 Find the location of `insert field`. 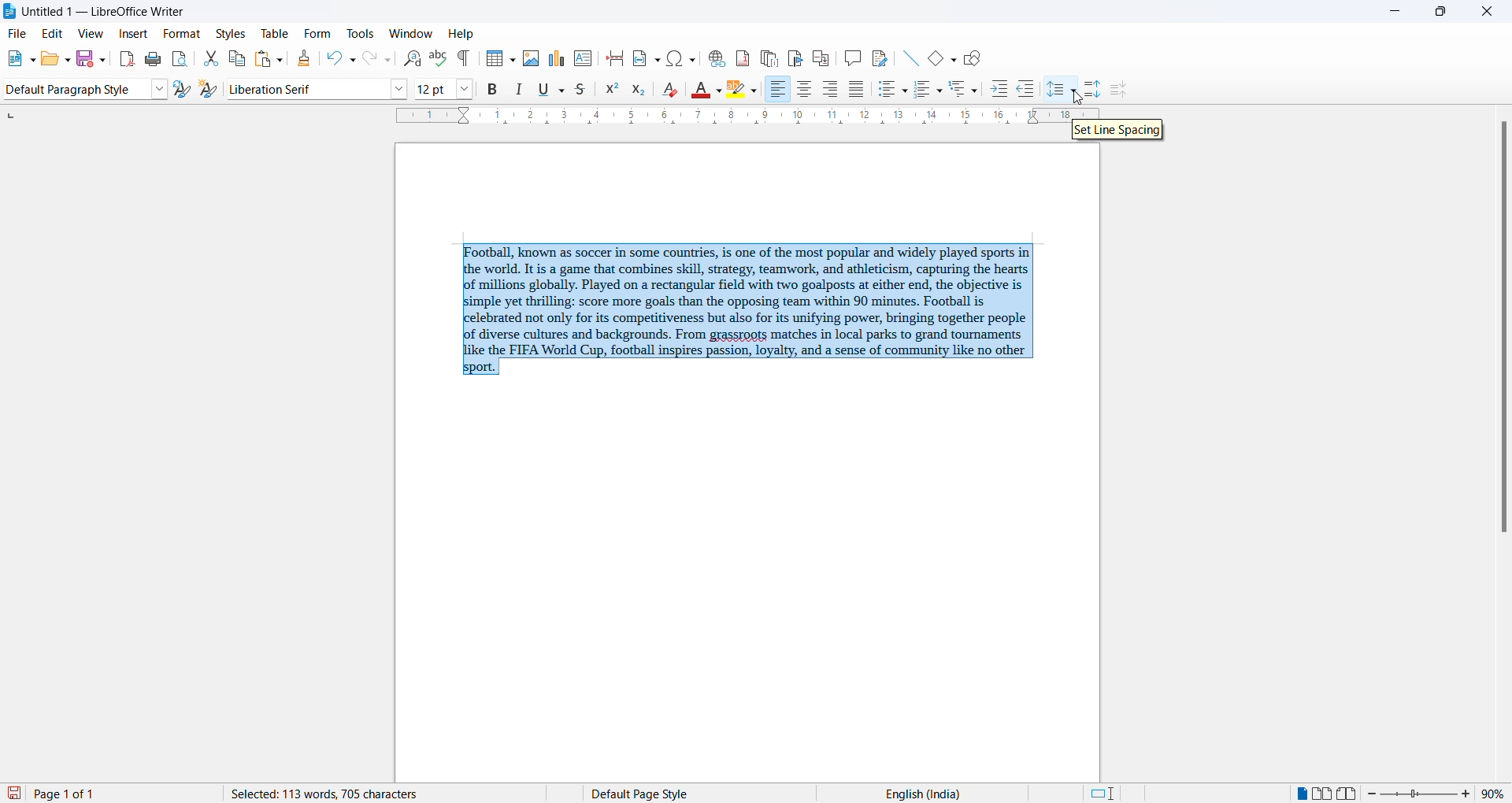

insert field is located at coordinates (644, 59).